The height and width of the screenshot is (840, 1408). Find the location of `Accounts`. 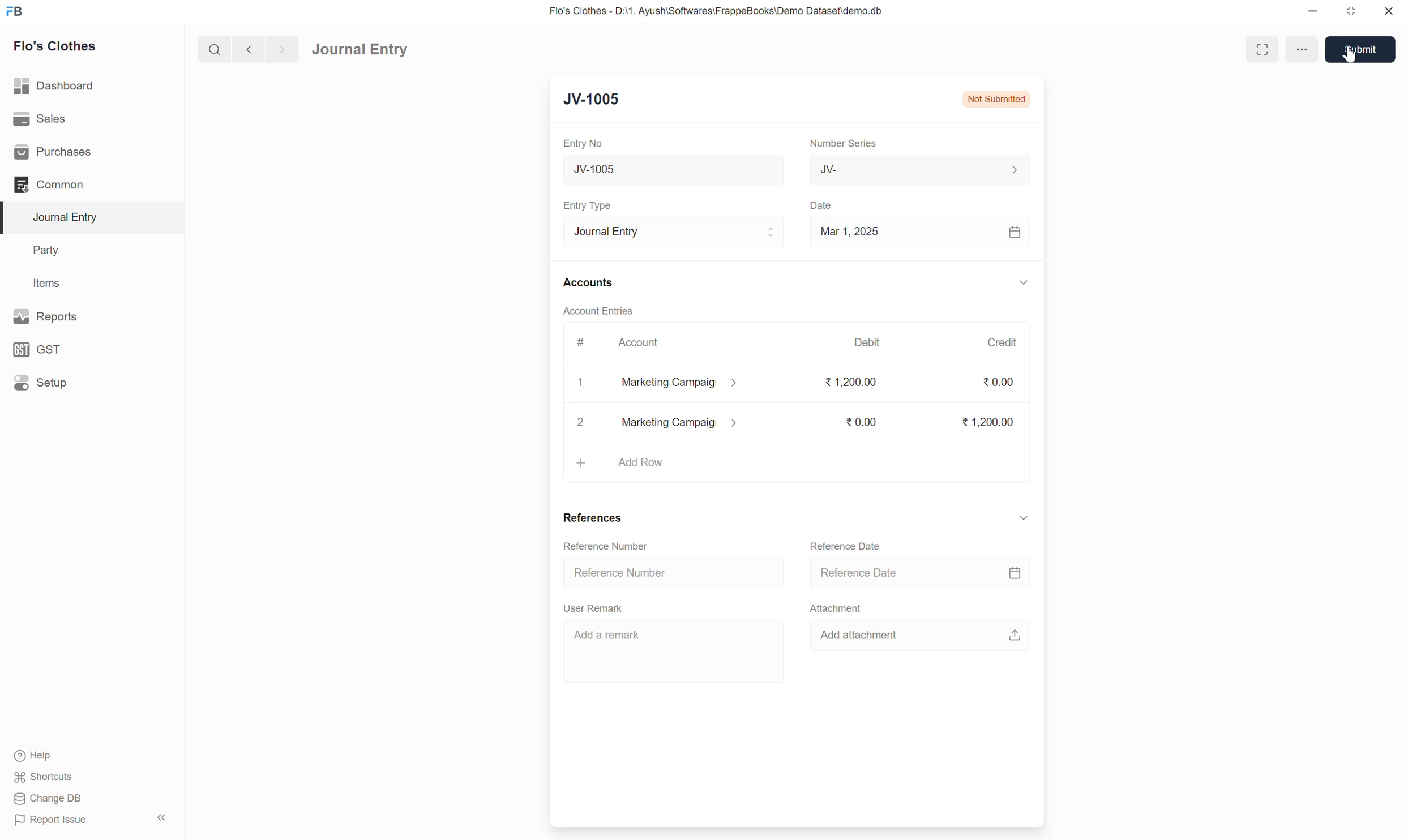

Accounts is located at coordinates (590, 281).